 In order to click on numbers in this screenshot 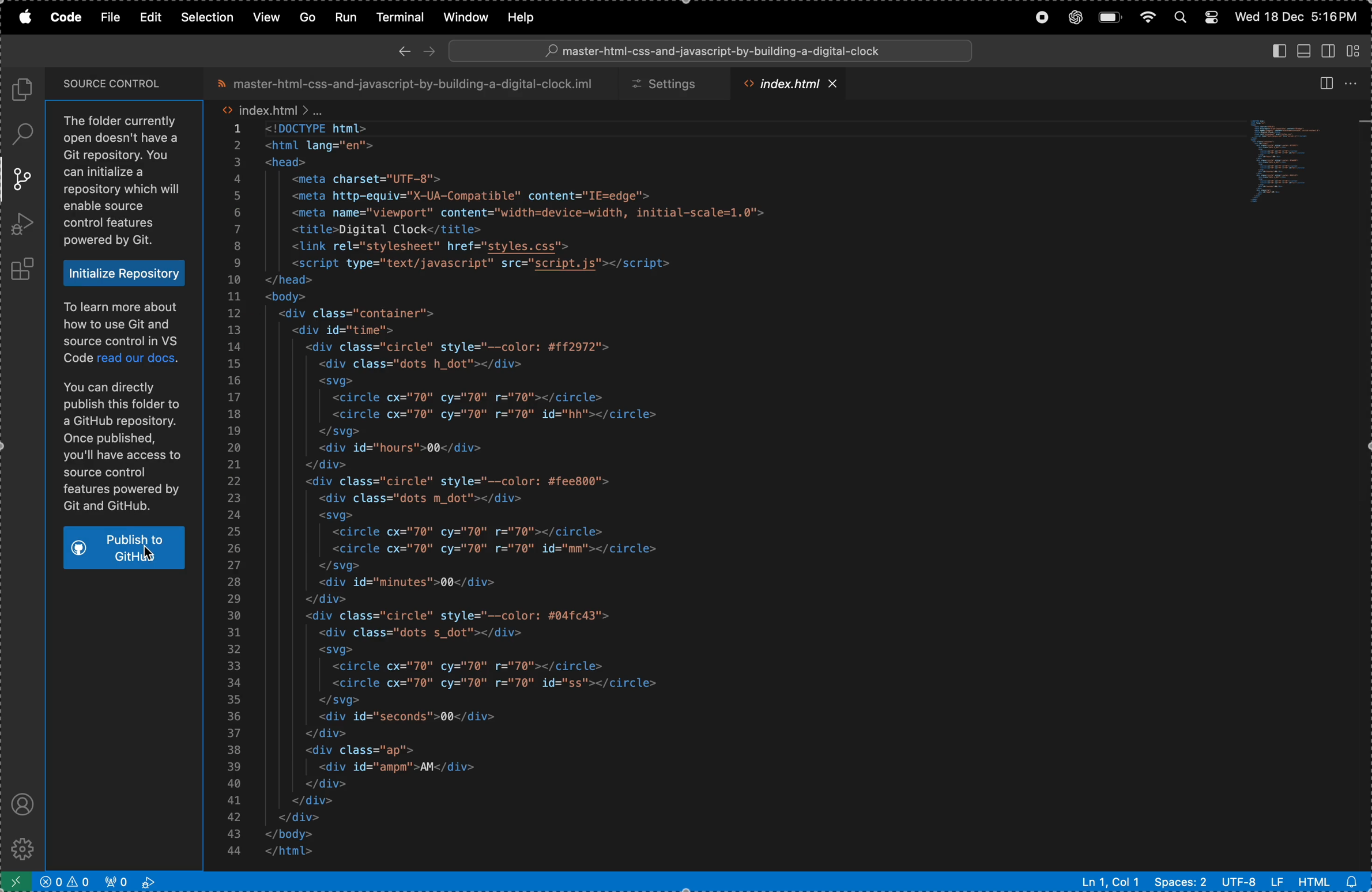, I will do `click(237, 493)`.